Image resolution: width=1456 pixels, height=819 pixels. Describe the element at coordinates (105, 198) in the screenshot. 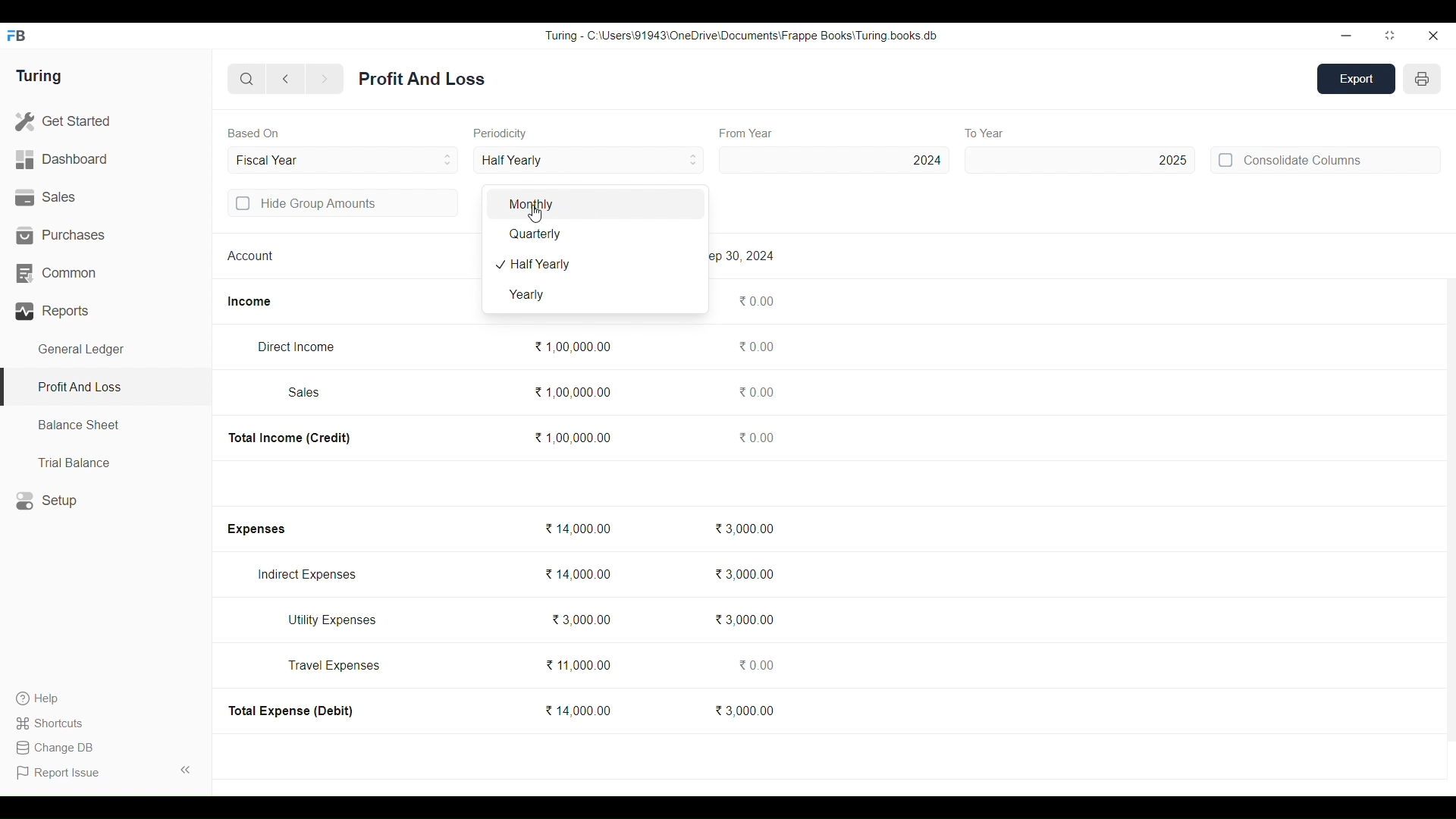

I see `Sales` at that location.